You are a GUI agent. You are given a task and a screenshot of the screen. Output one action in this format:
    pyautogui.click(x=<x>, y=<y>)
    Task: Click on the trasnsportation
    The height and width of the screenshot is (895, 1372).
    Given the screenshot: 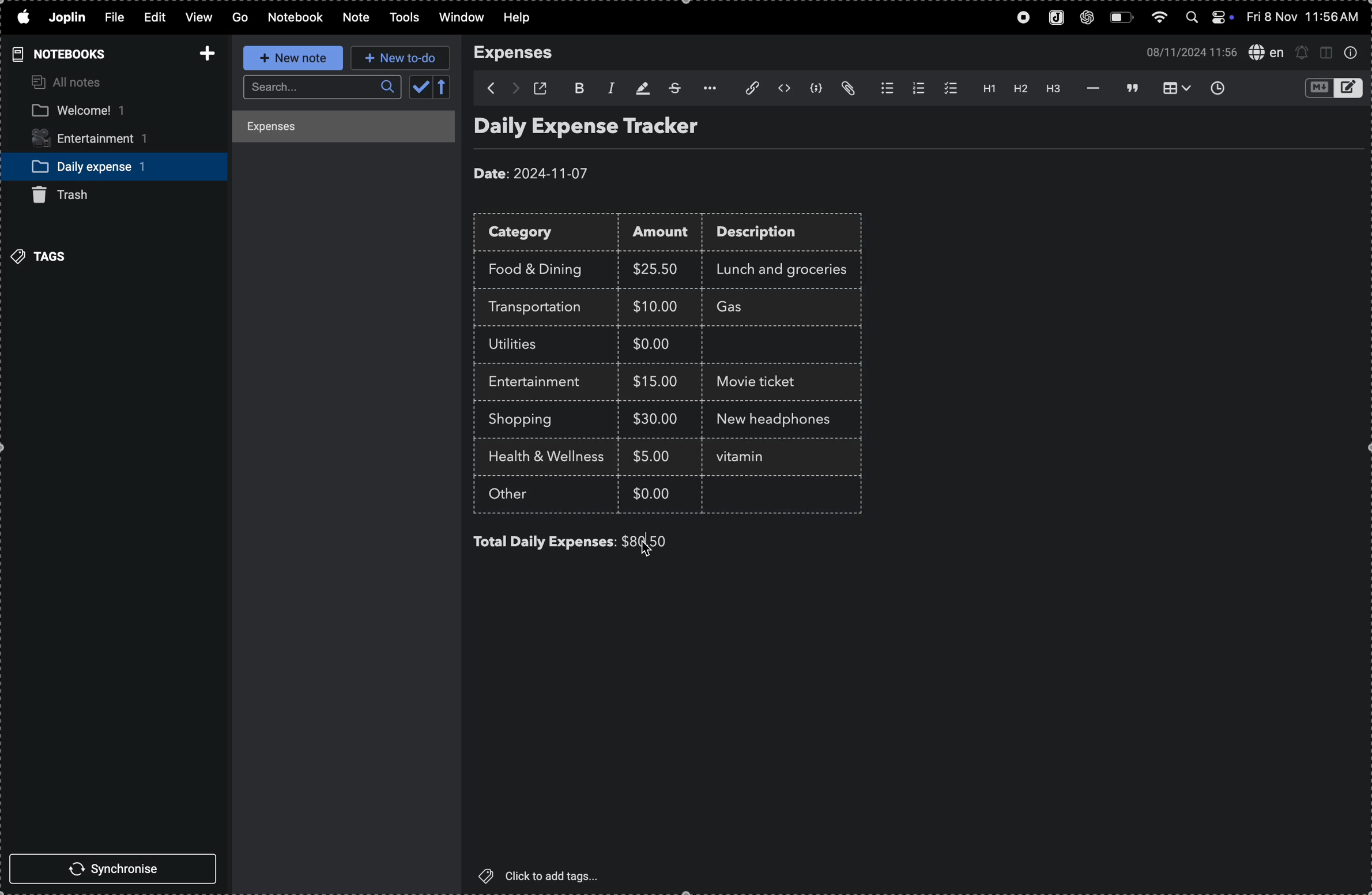 What is the action you would take?
    pyautogui.click(x=541, y=307)
    